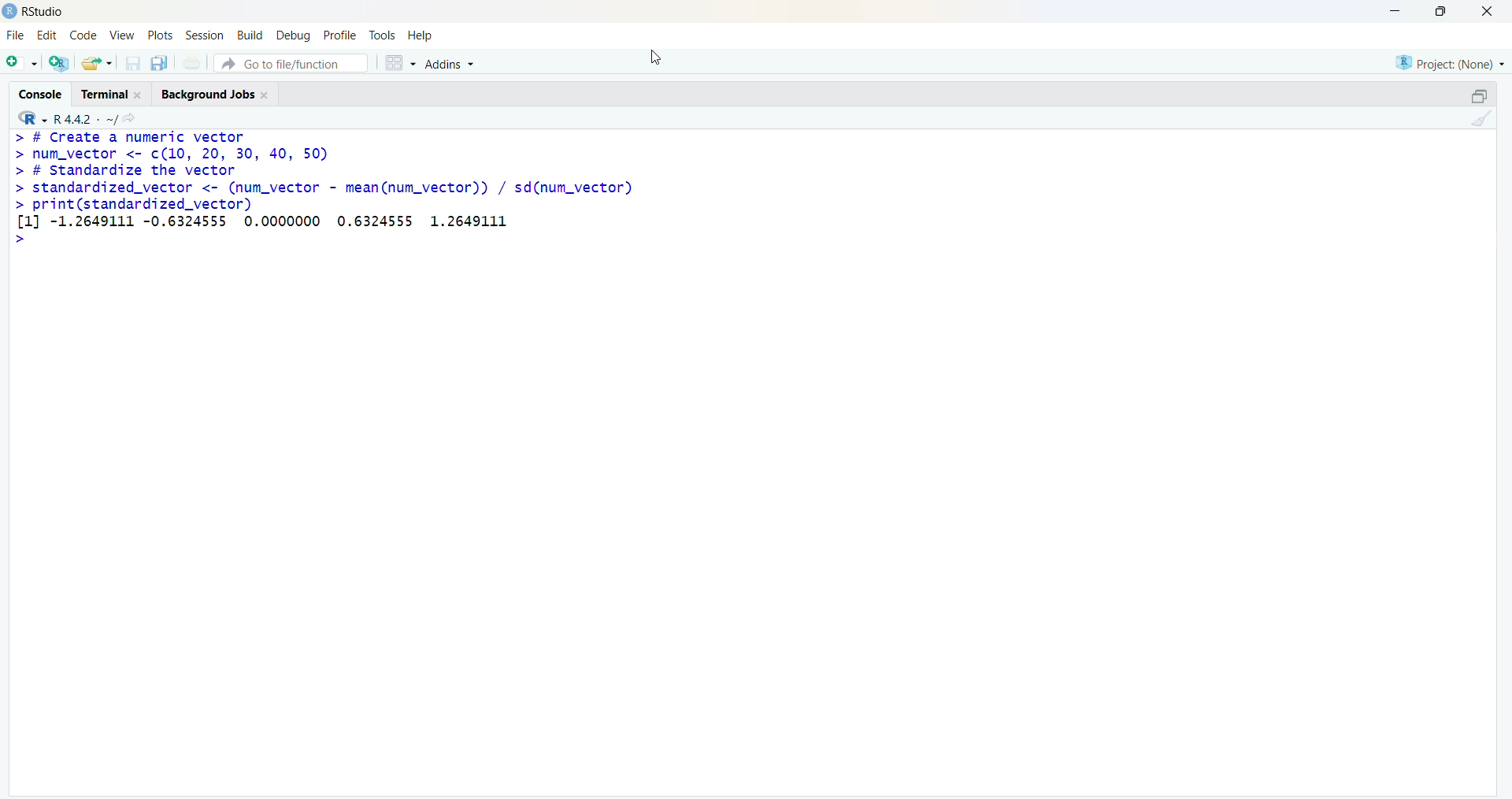 The image size is (1512, 799). I want to click on tools, so click(383, 35).